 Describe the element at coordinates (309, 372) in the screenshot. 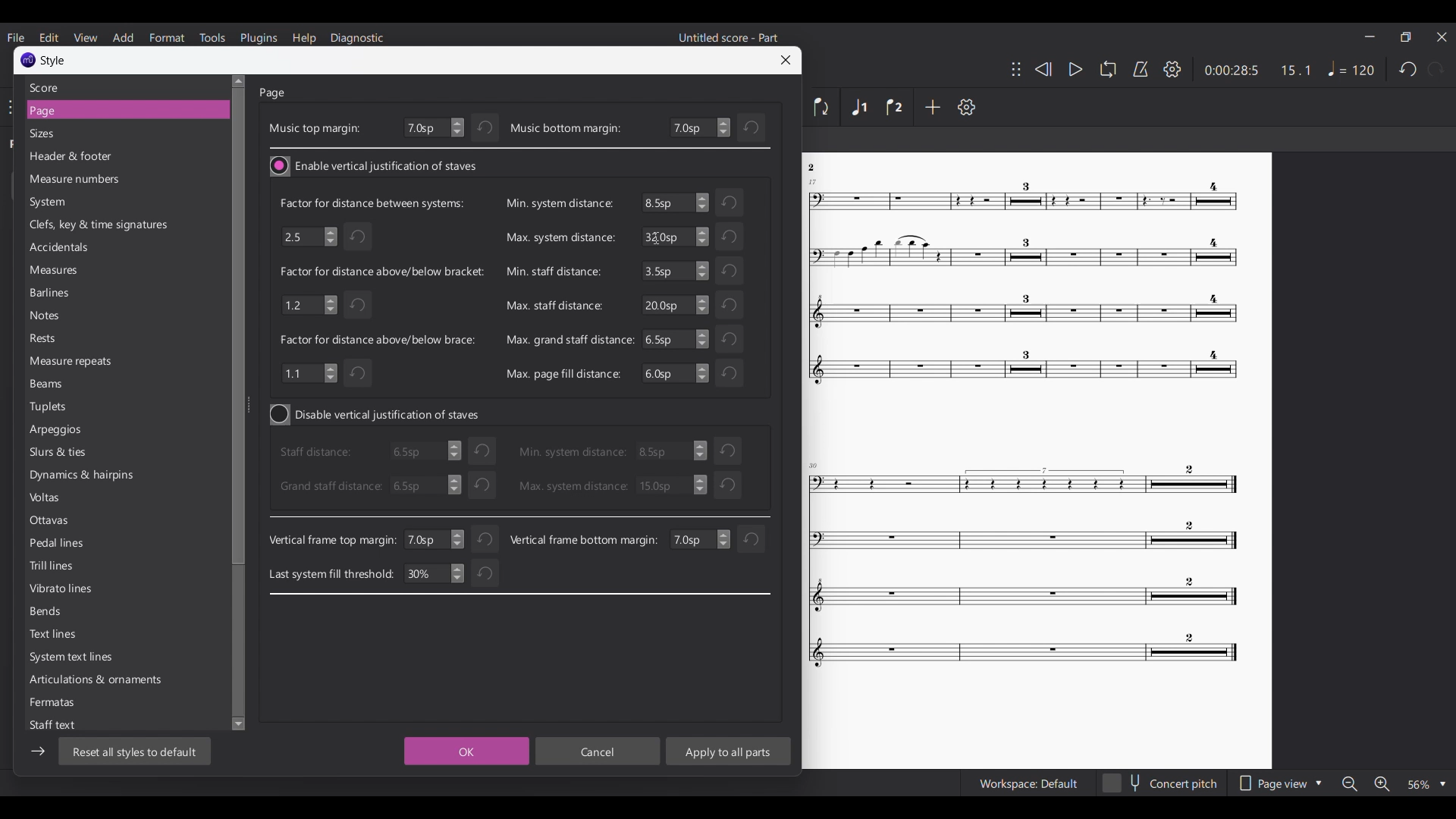

I see `1.1` at that location.